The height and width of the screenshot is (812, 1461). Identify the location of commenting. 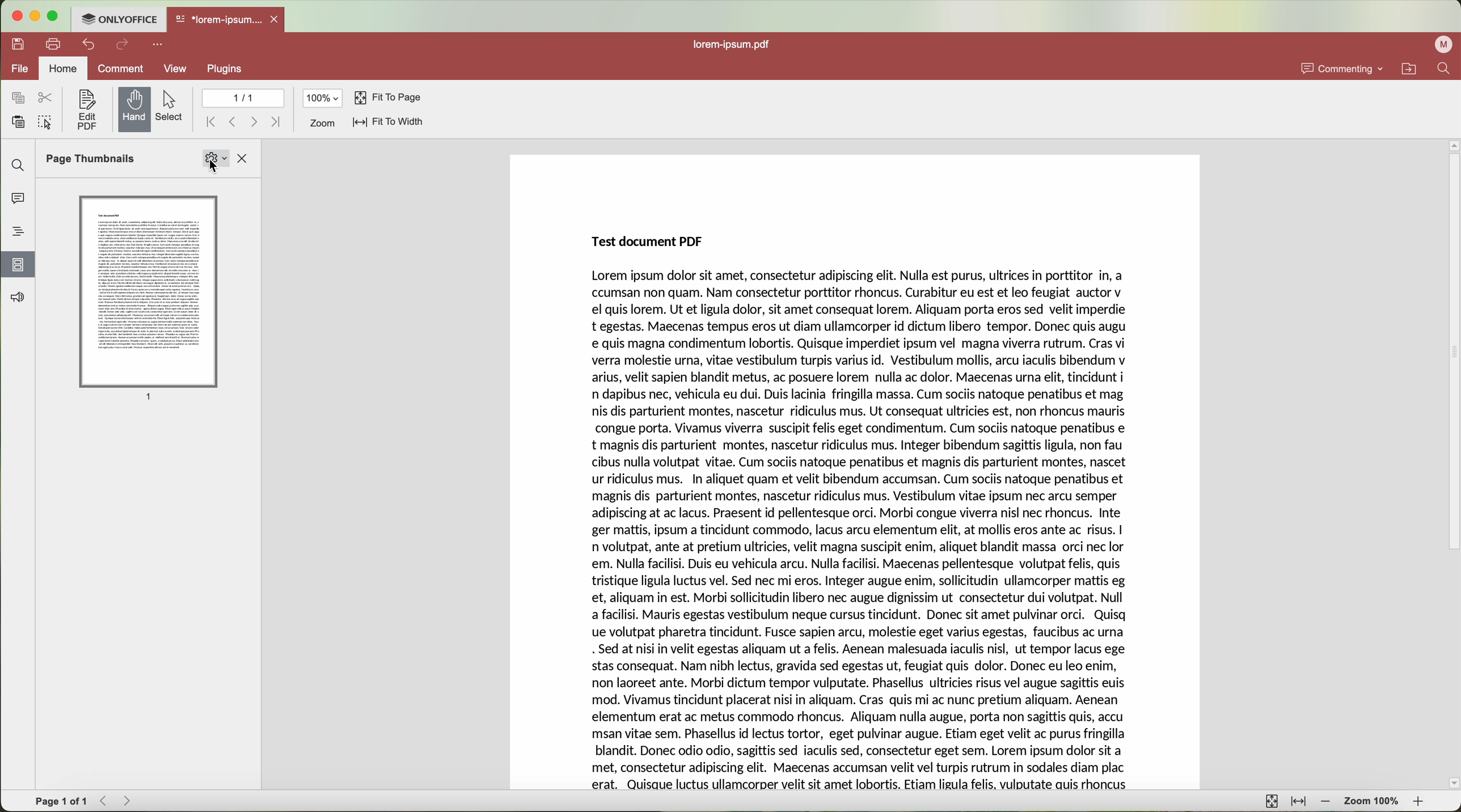
(1343, 68).